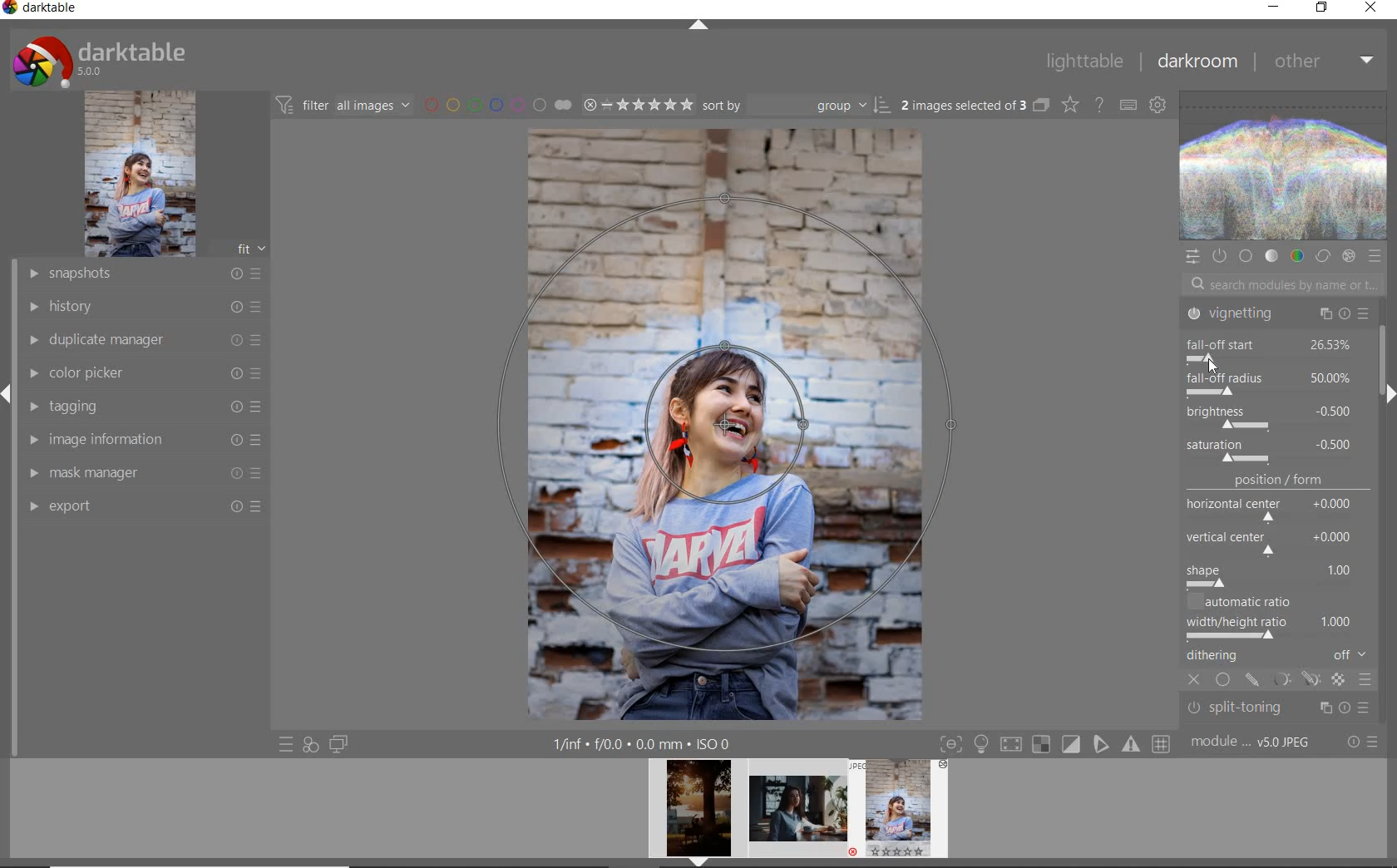 This screenshot has height=868, width=1397. What do you see at coordinates (143, 274) in the screenshot?
I see `snapshots` at bounding box center [143, 274].